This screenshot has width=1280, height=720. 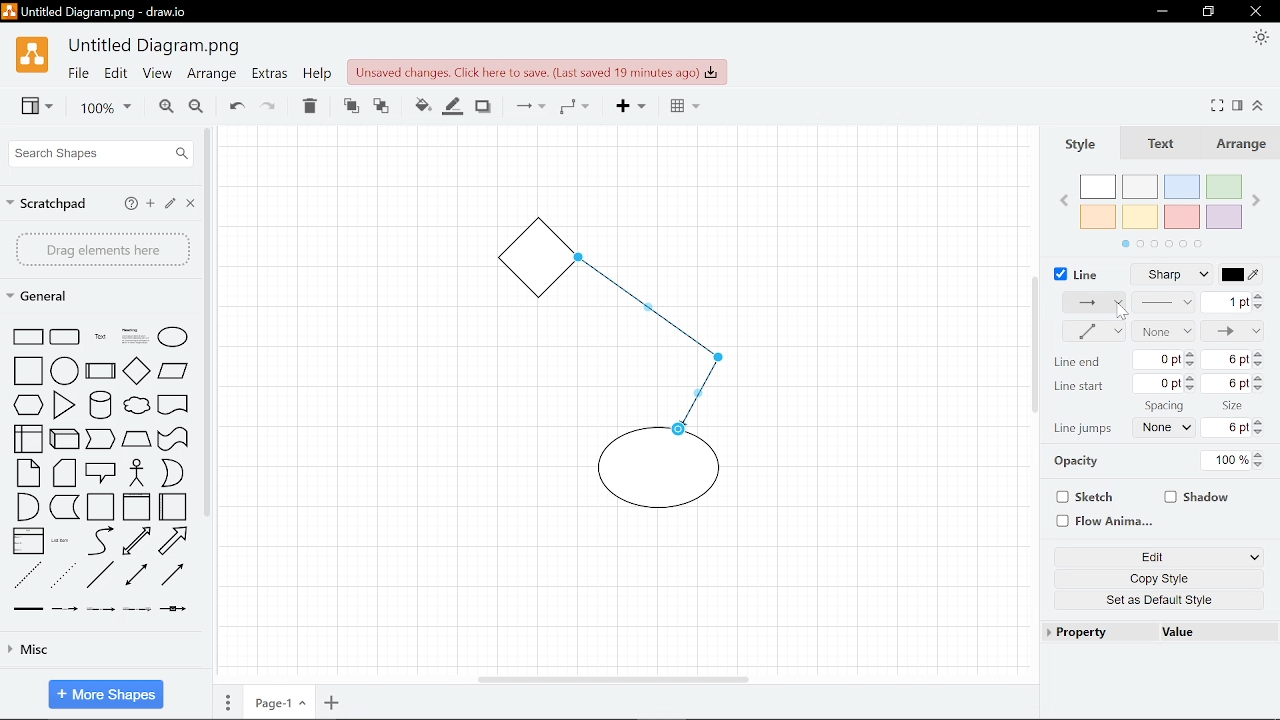 What do you see at coordinates (172, 205) in the screenshot?
I see `Edit` at bounding box center [172, 205].